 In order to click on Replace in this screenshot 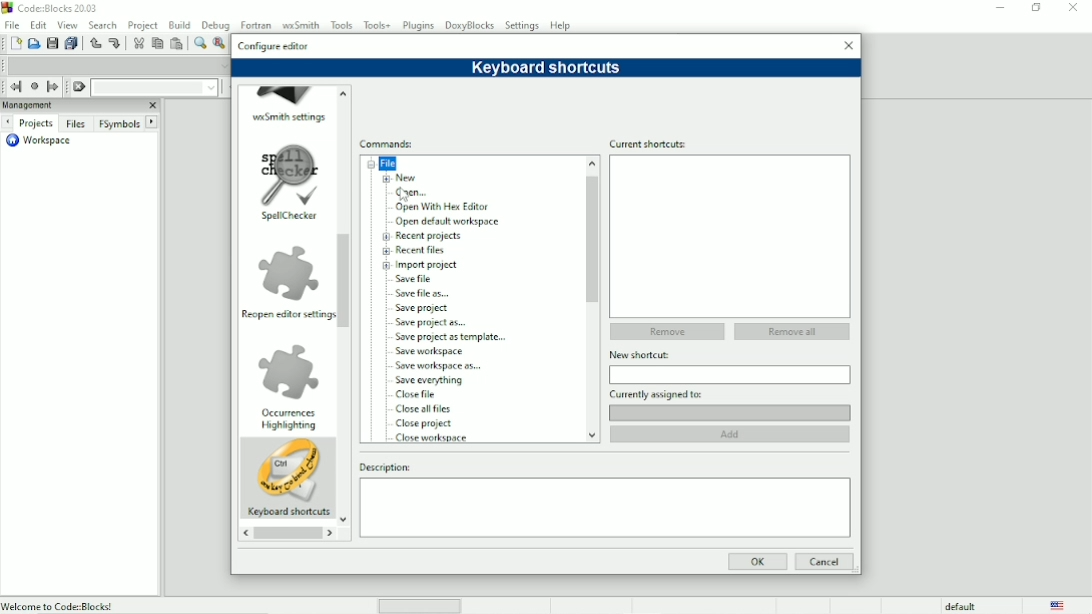, I will do `click(220, 44)`.